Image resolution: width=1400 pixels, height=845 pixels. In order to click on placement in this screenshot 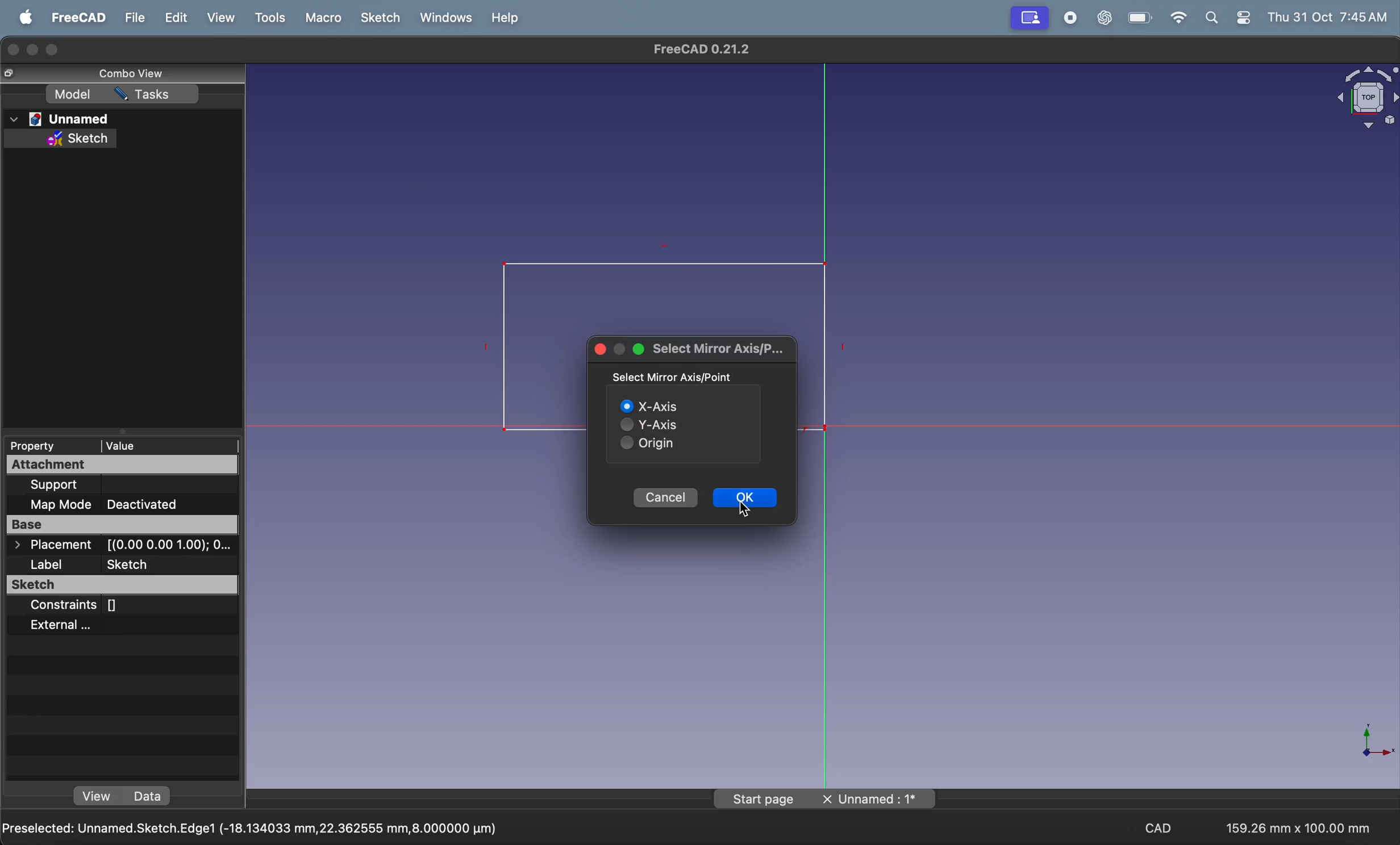, I will do `click(116, 546)`.